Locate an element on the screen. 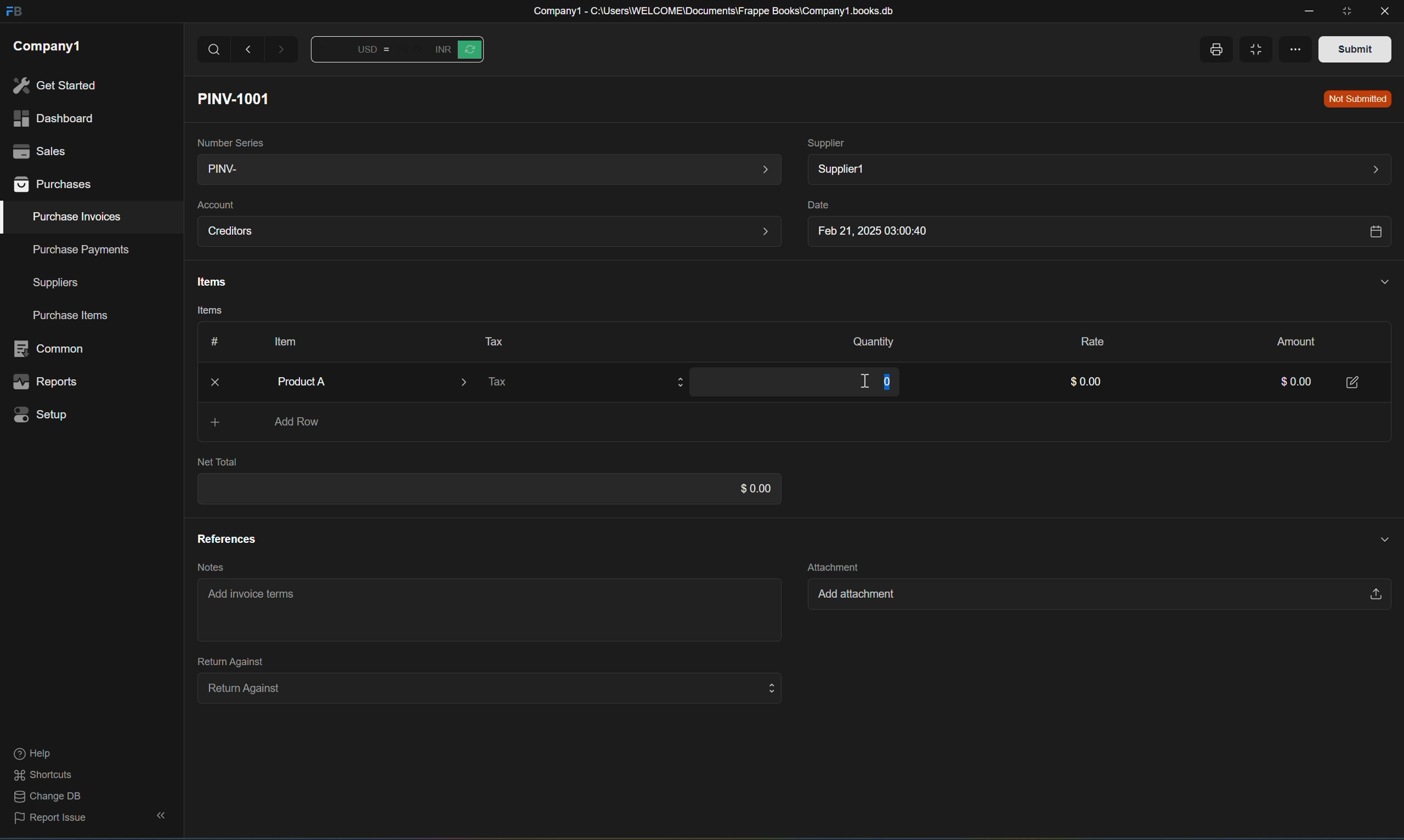 Image resolution: width=1404 pixels, height=840 pixels. Creditors is located at coordinates (489, 232).